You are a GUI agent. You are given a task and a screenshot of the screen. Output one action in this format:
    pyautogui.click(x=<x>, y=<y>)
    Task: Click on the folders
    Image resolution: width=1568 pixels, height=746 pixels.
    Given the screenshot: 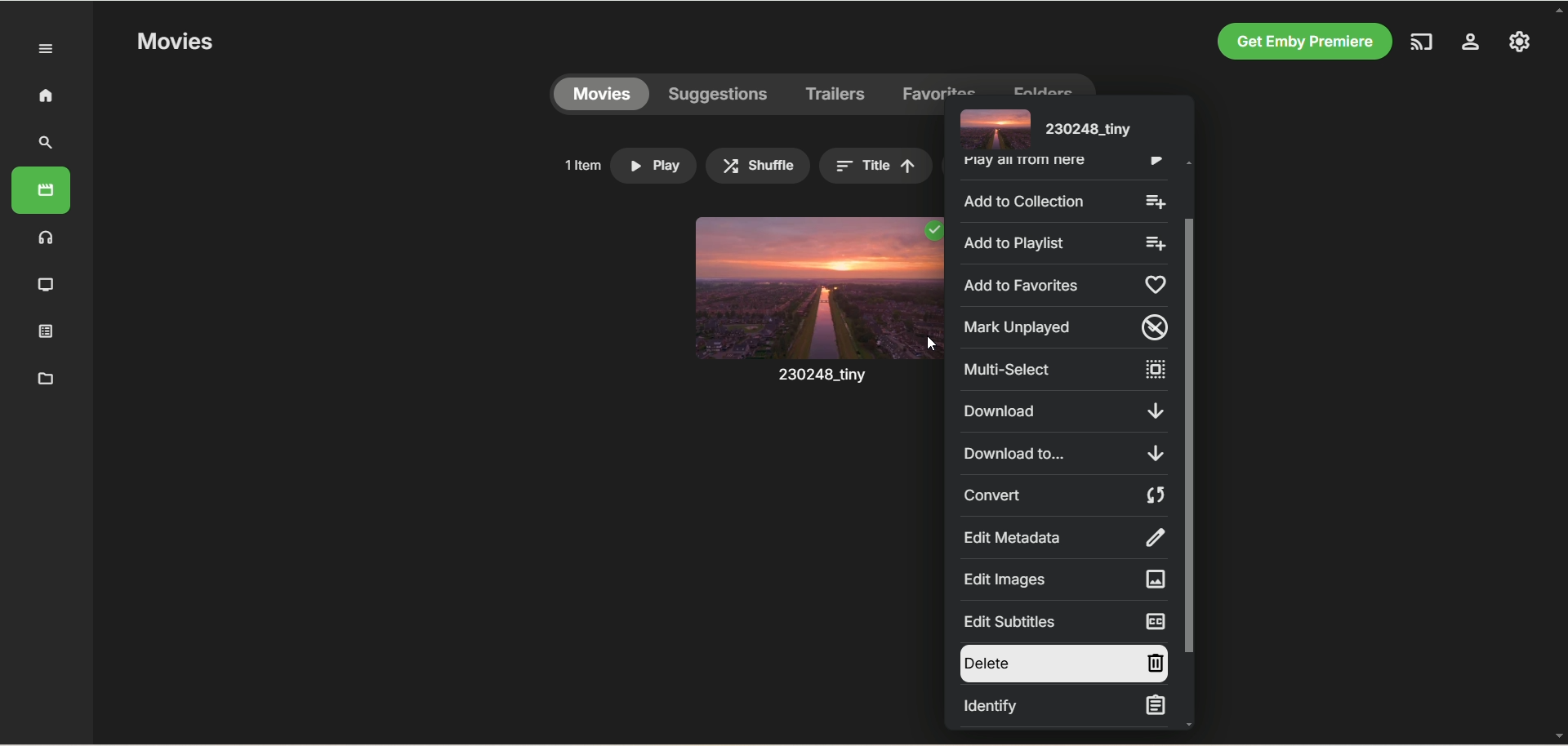 What is the action you would take?
    pyautogui.click(x=1042, y=84)
    